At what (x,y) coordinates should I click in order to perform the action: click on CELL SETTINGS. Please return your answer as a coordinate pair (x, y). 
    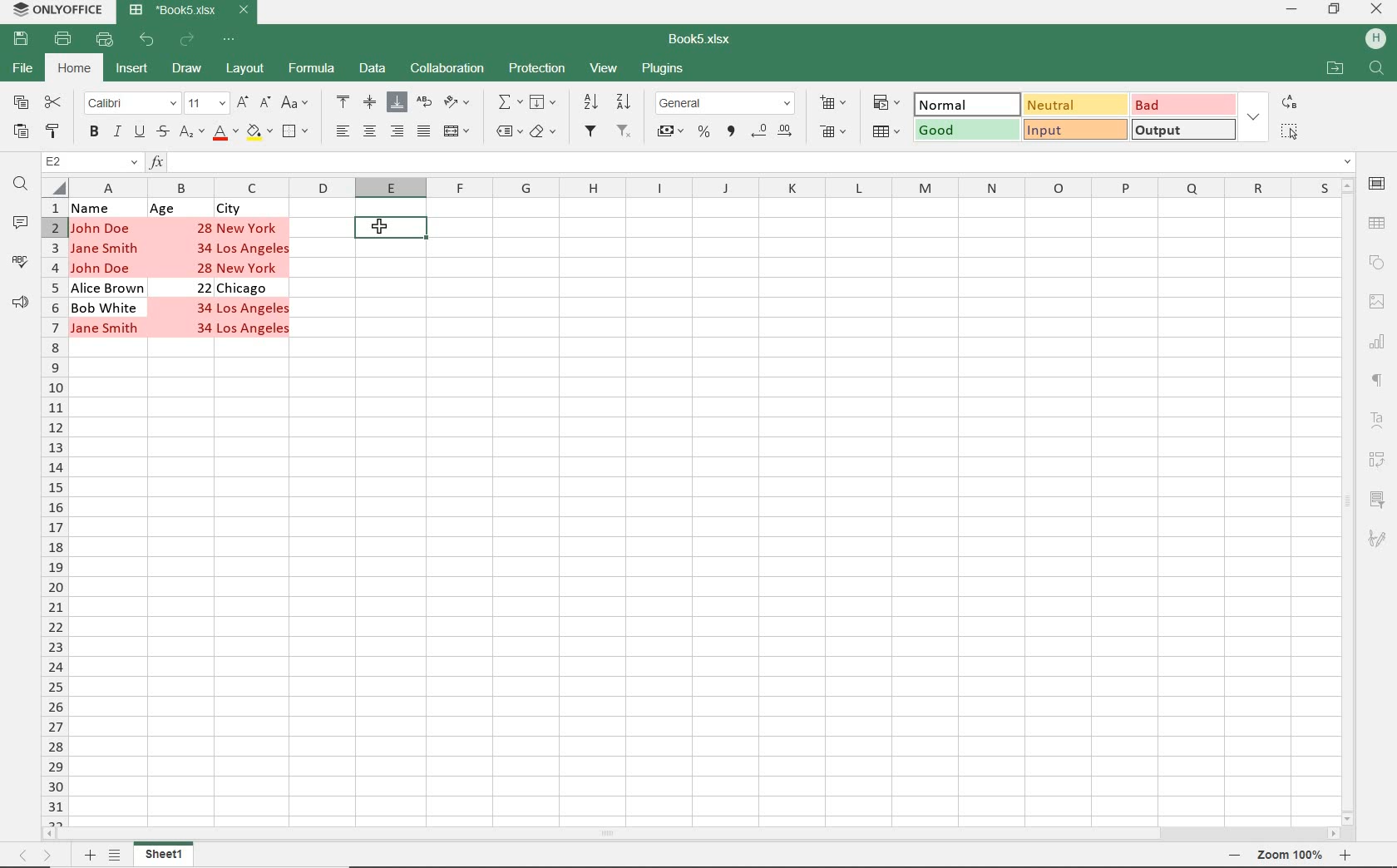
    Looking at the image, I should click on (1375, 184).